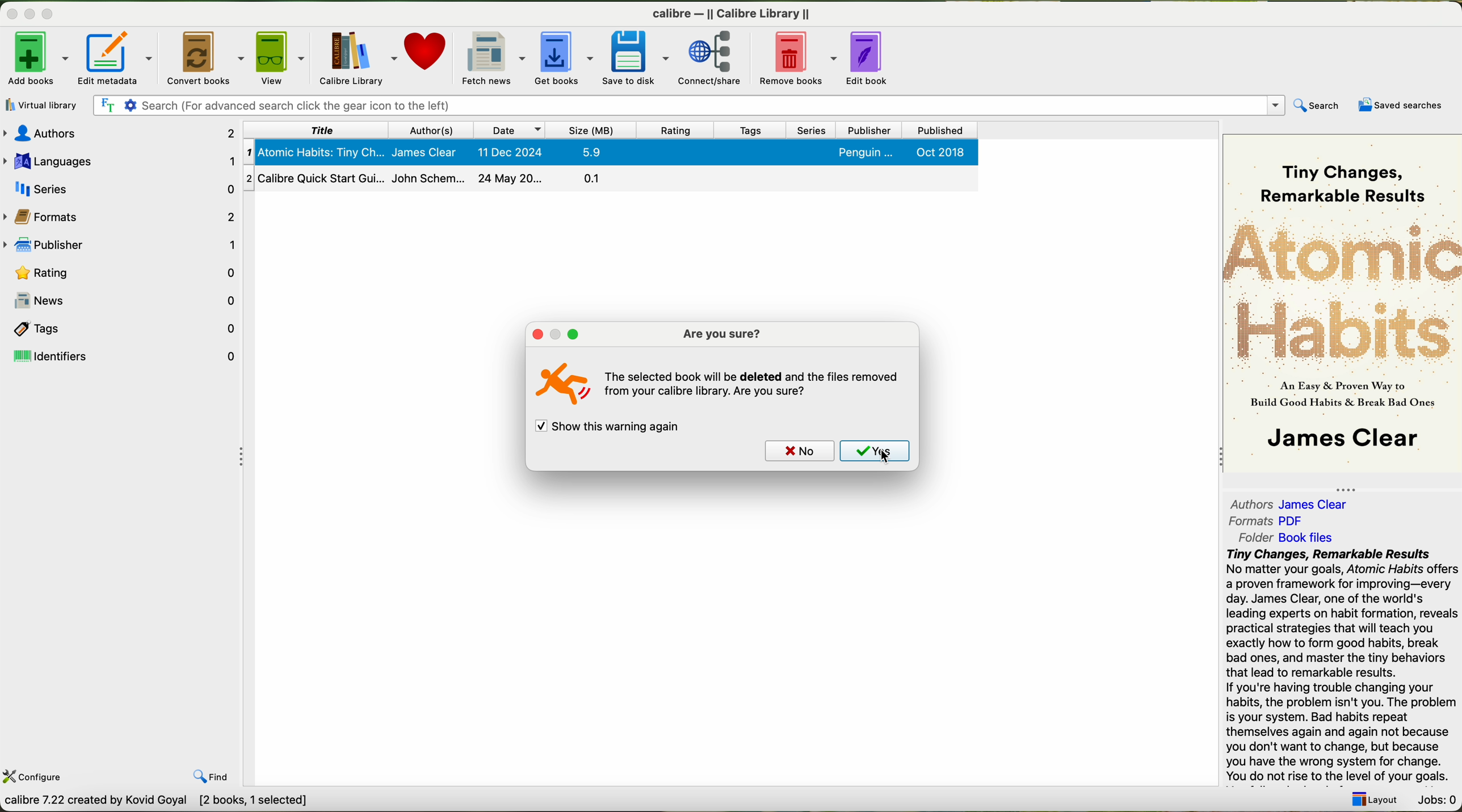 This screenshot has width=1462, height=812. I want to click on icon remove, so click(559, 386).